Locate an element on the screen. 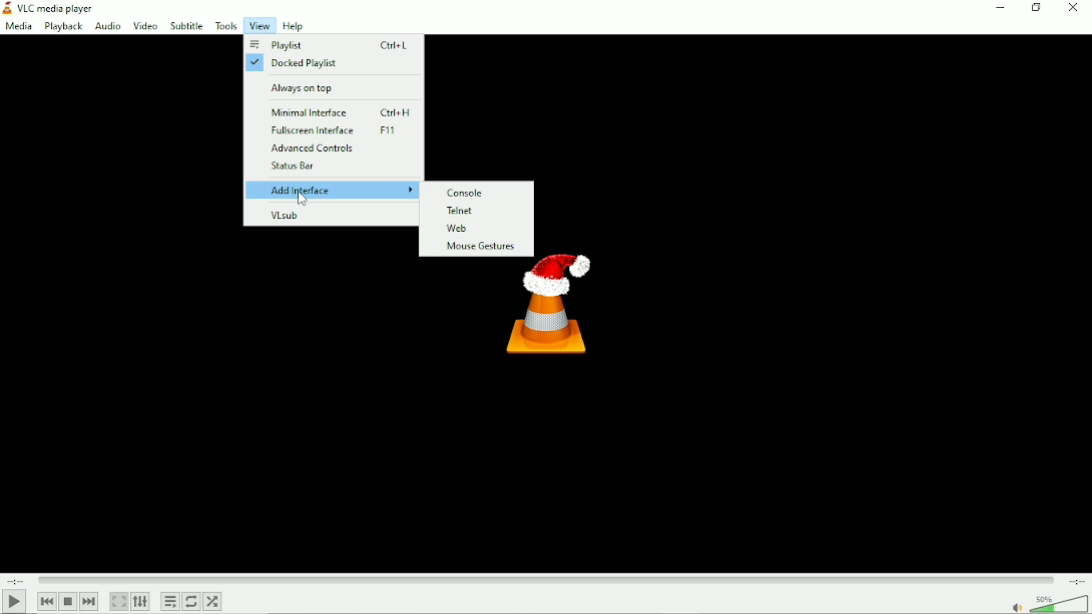  Cursor is located at coordinates (303, 200).